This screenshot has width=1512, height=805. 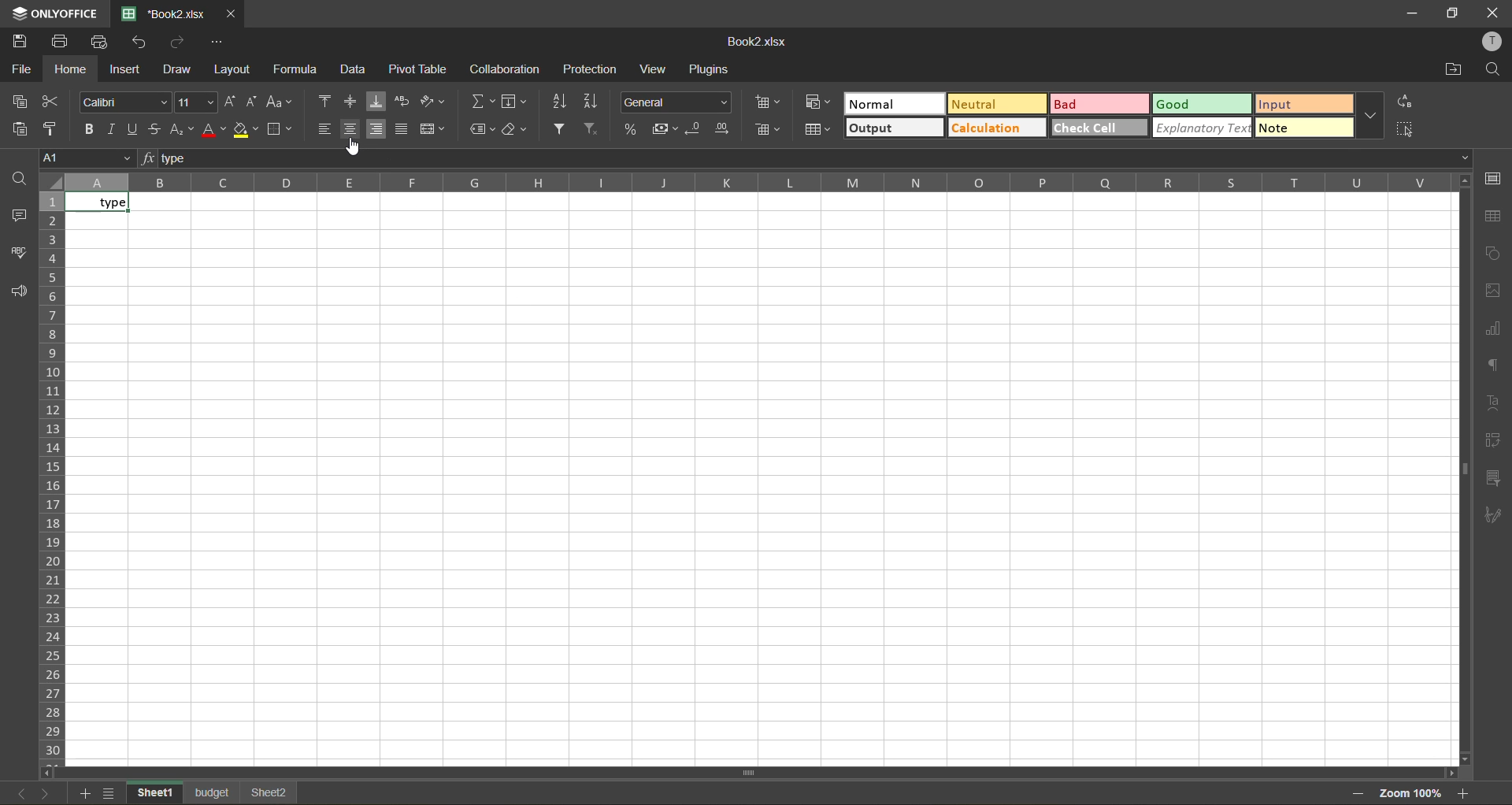 I want to click on text, so click(x=1494, y=406).